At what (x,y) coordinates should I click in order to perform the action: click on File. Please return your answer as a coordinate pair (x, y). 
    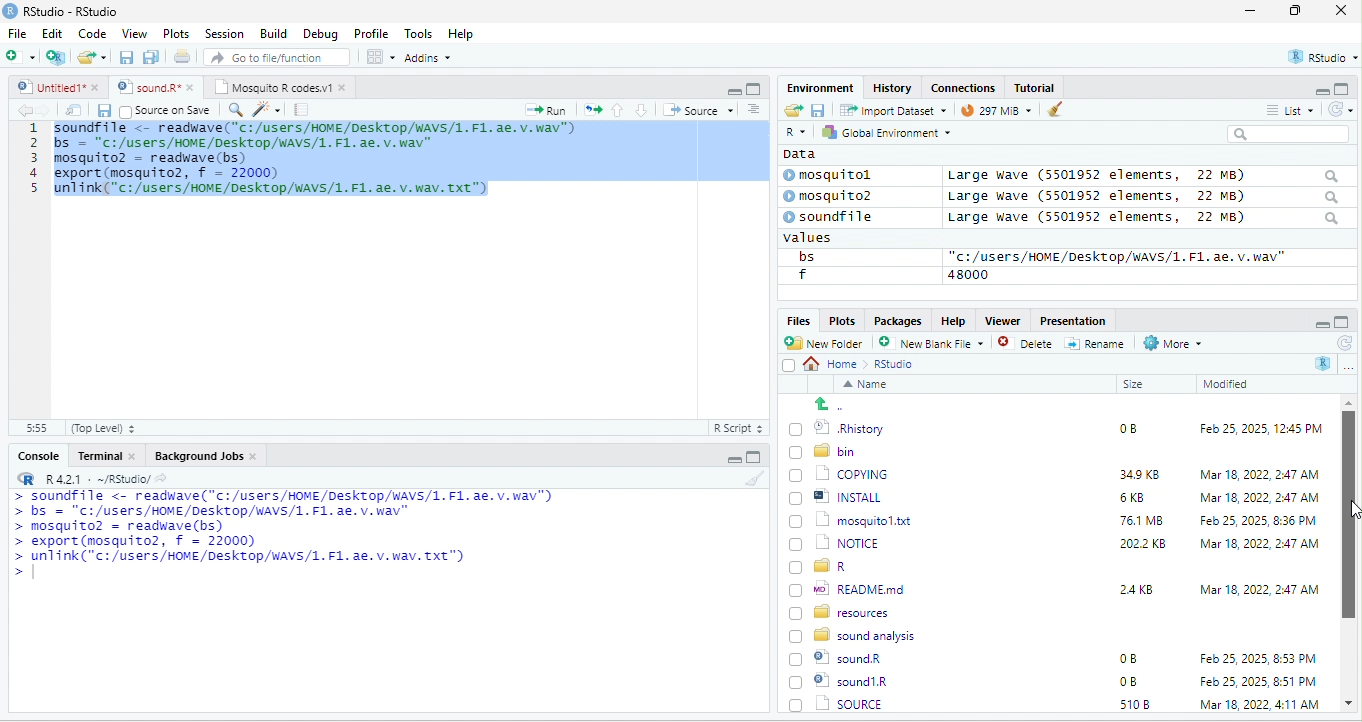
    Looking at the image, I should click on (17, 33).